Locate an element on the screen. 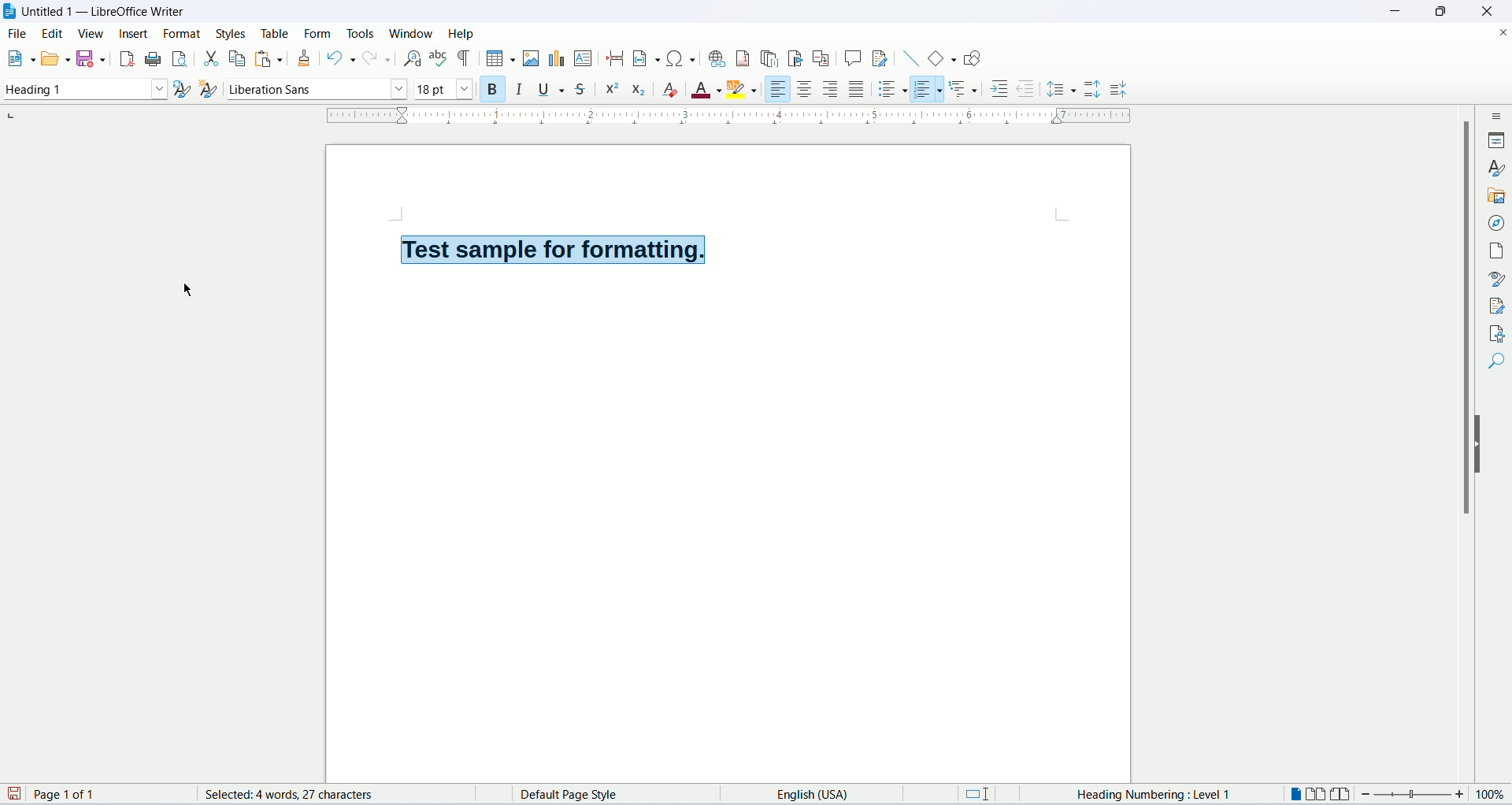 The width and height of the screenshot is (1512, 805). style inspector is located at coordinates (1497, 279).